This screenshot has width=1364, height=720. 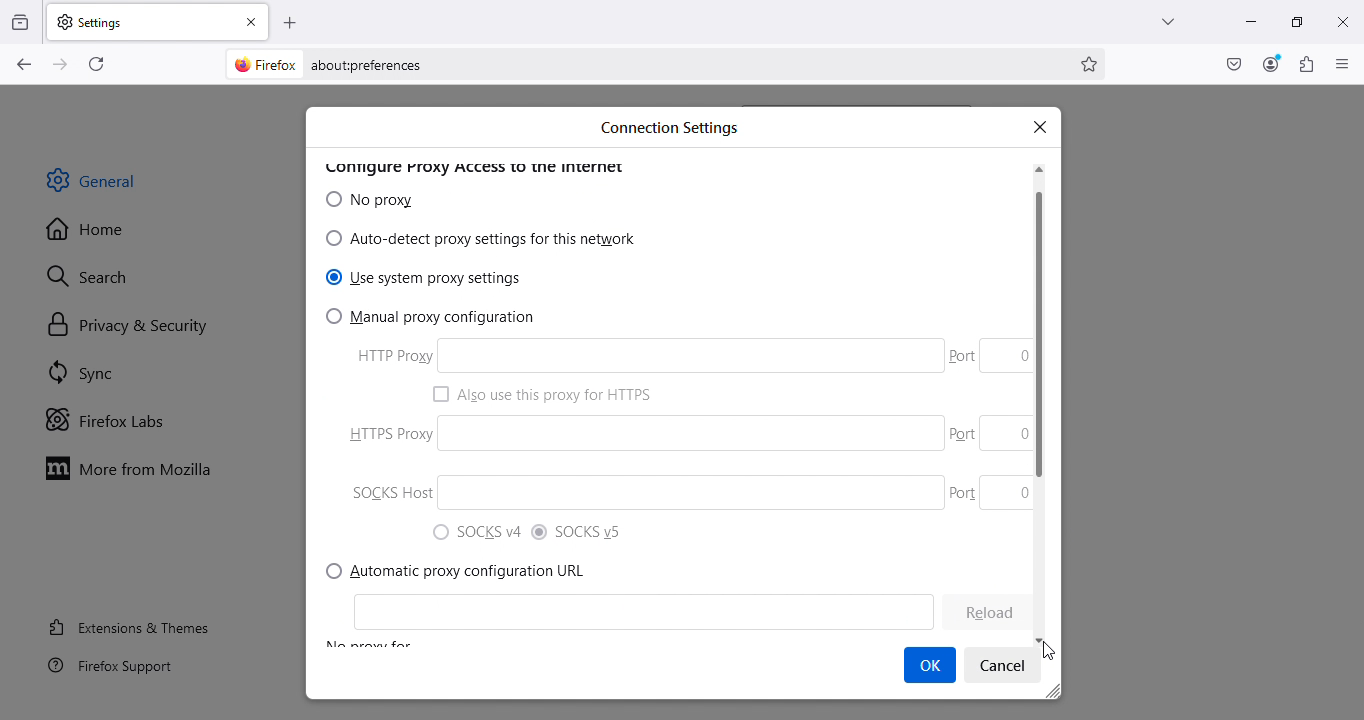 I want to click on ") SOCKS v4, so click(x=478, y=530).